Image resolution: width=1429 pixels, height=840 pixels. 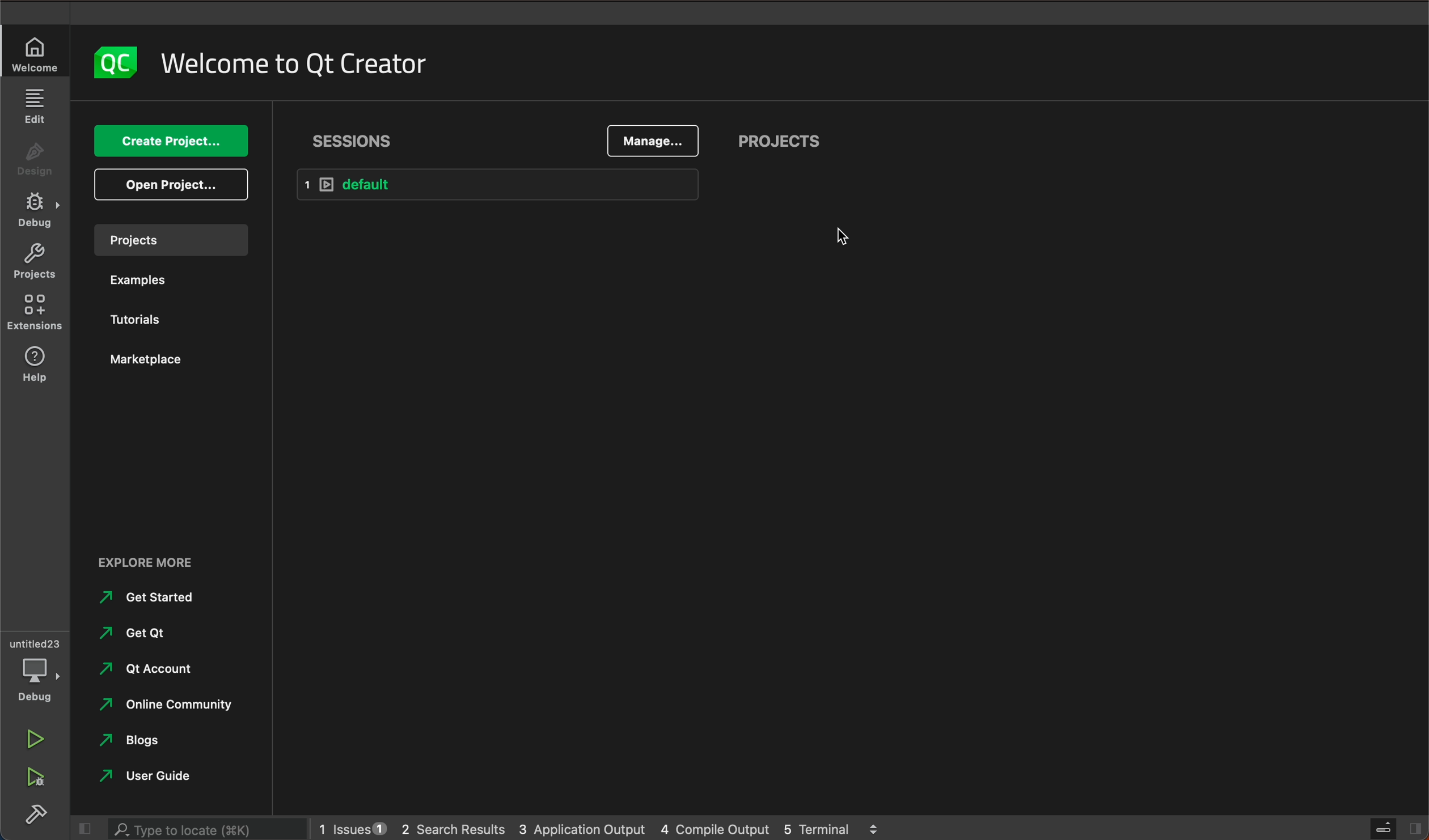 I want to click on debug, so click(x=38, y=667).